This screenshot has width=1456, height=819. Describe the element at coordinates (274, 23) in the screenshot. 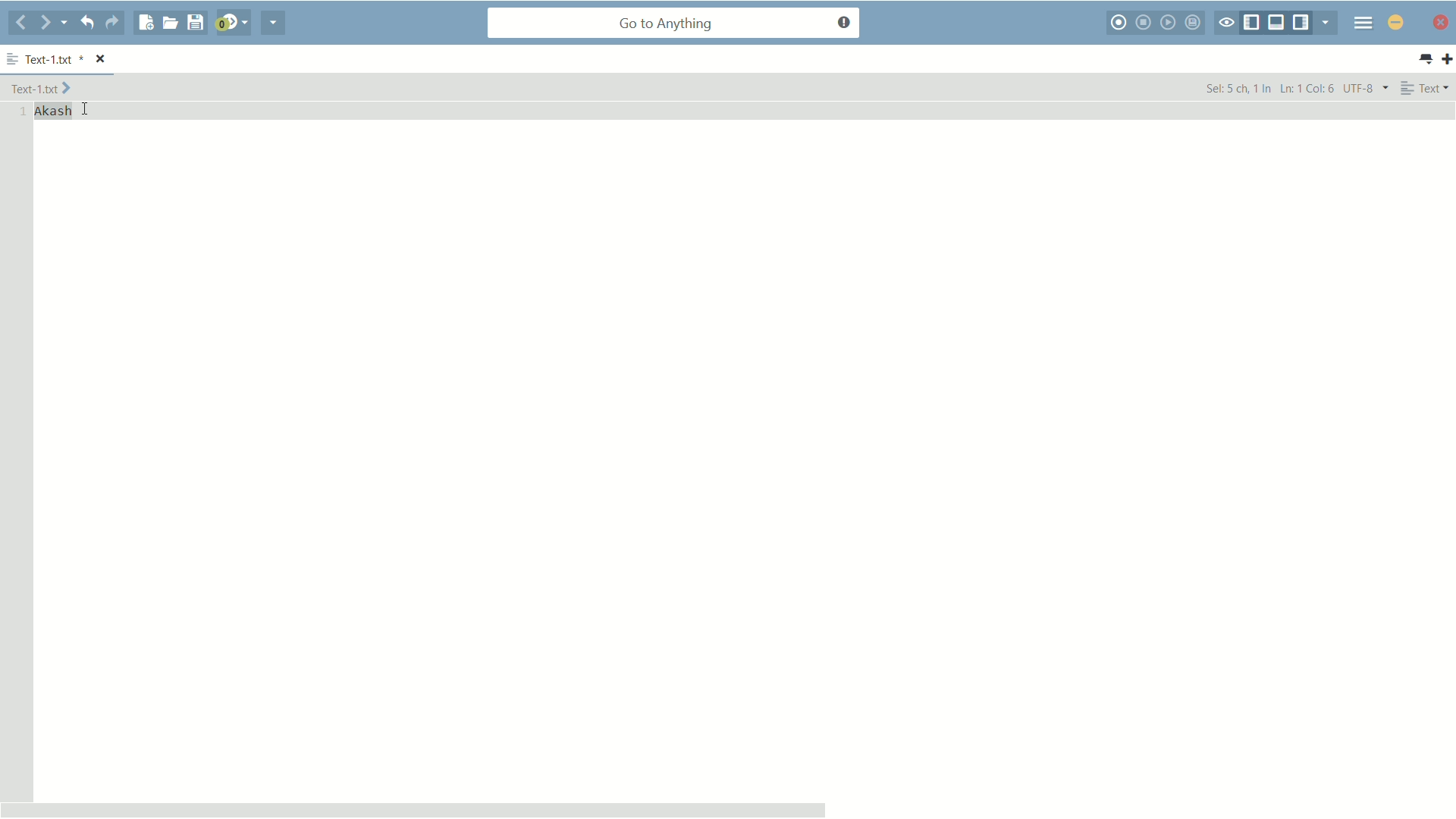

I see `share current file` at that location.